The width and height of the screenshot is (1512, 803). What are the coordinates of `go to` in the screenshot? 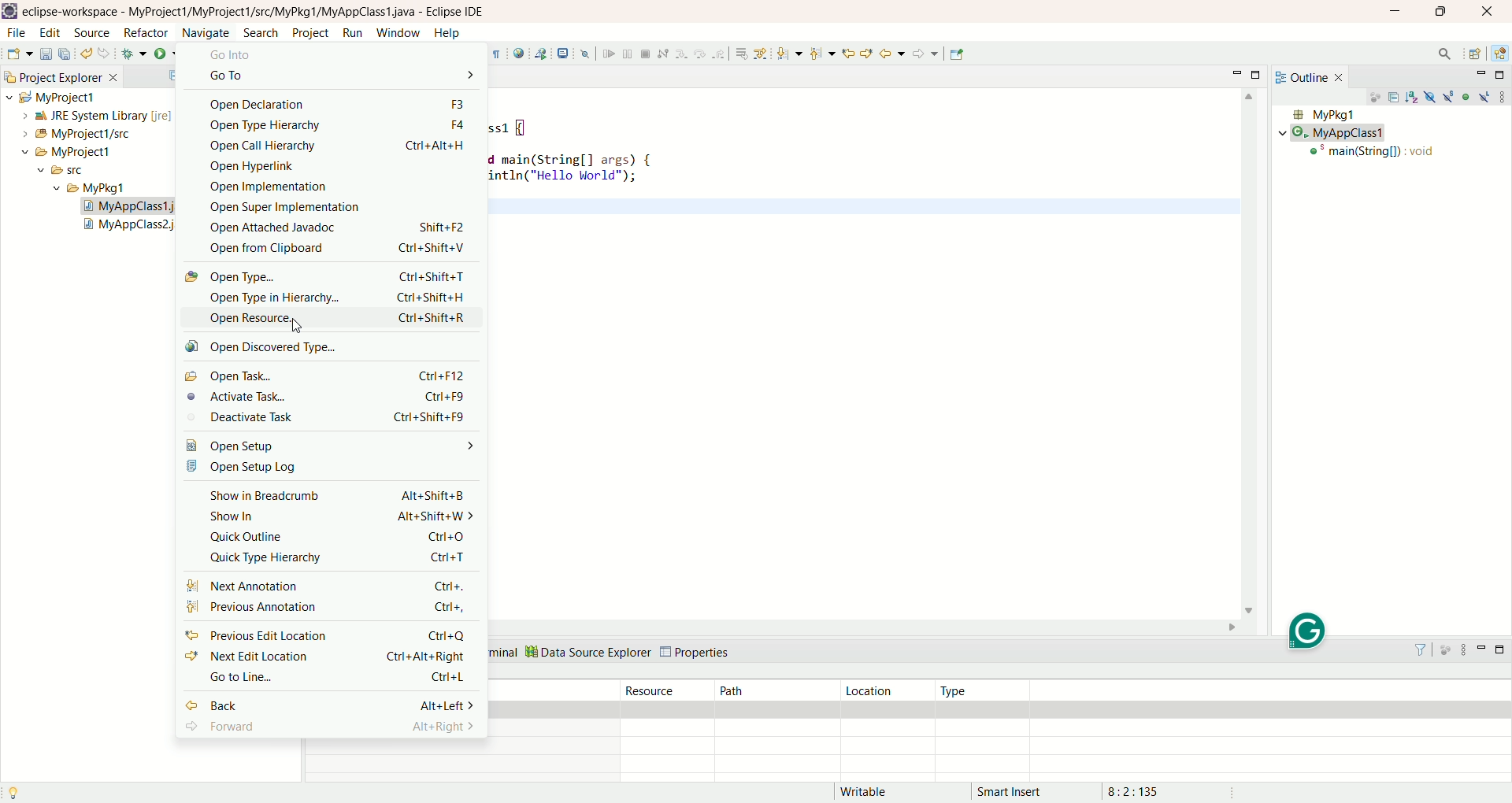 It's located at (341, 76).